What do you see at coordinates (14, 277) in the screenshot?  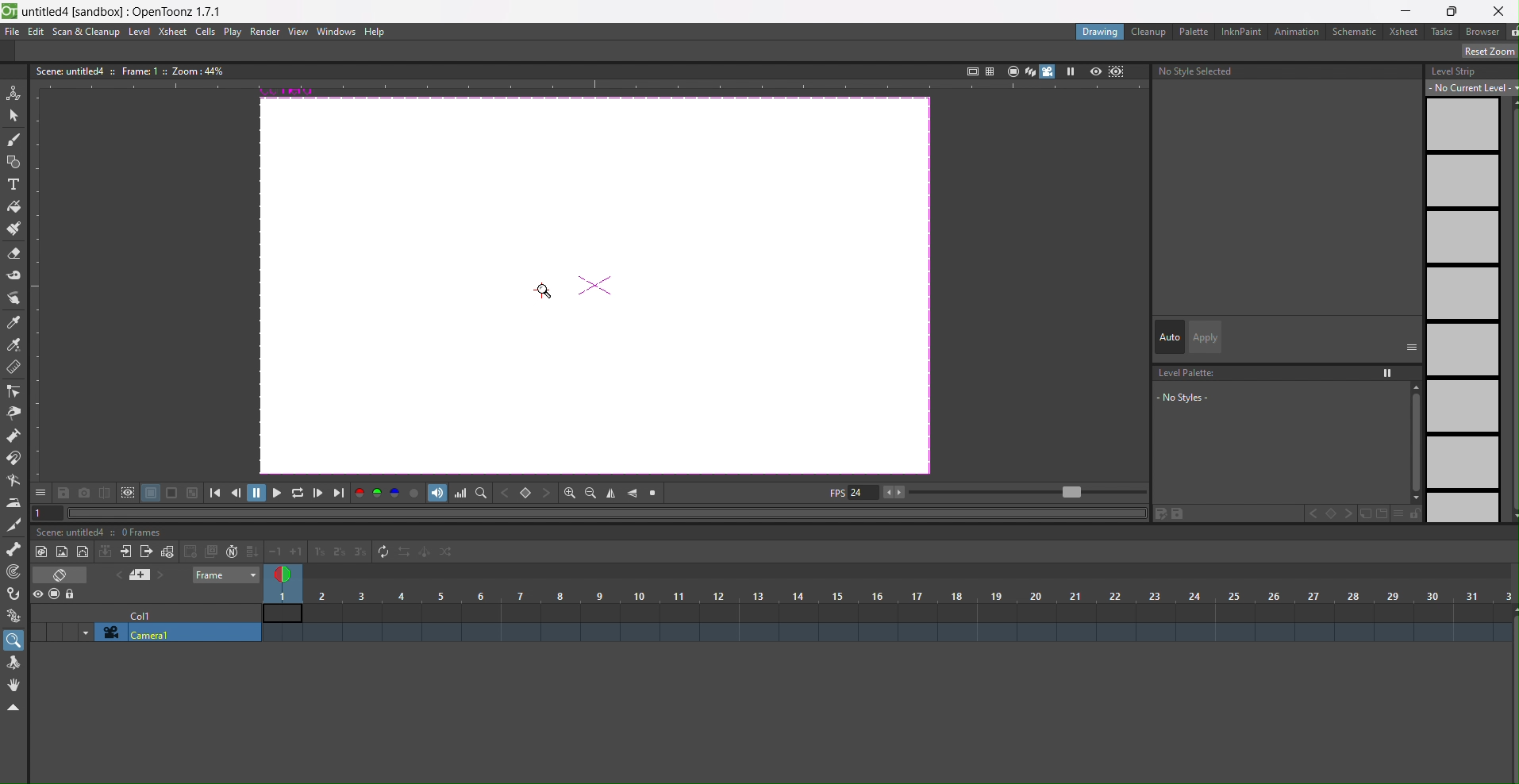 I see `tape tool` at bounding box center [14, 277].